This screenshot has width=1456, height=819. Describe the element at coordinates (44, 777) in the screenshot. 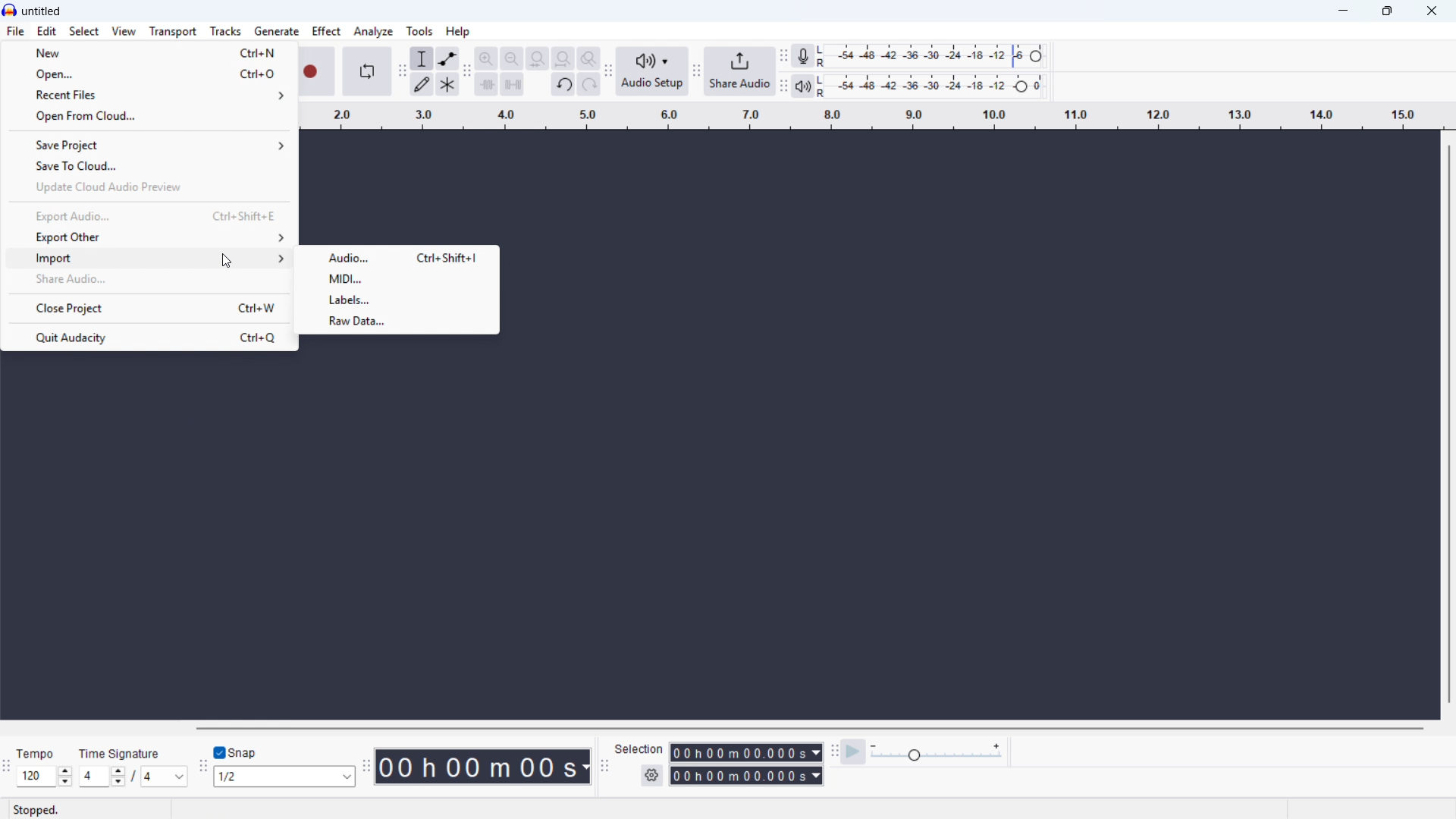

I see `Set tempo ` at that location.